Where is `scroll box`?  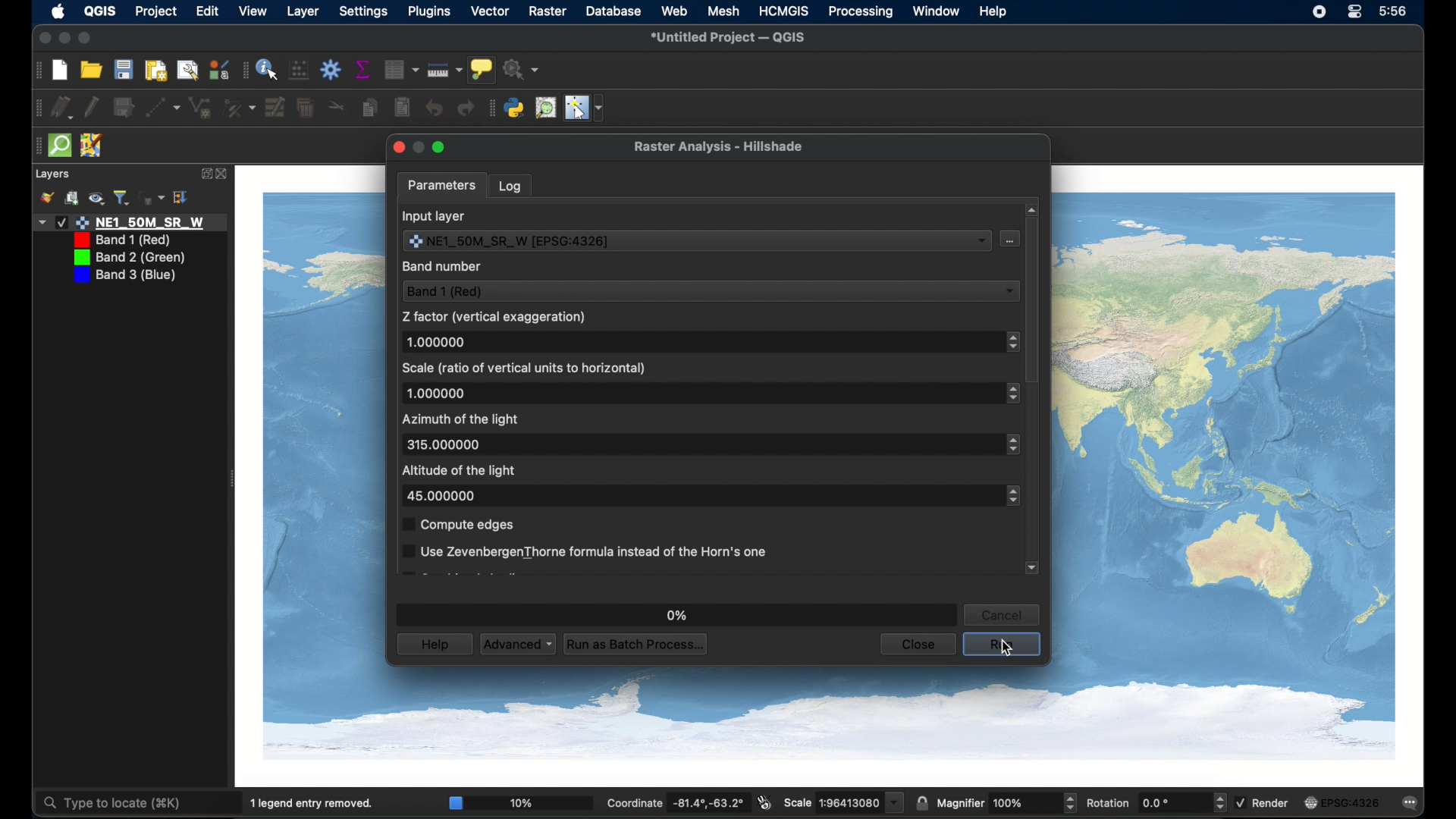 scroll box is located at coordinates (1034, 303).